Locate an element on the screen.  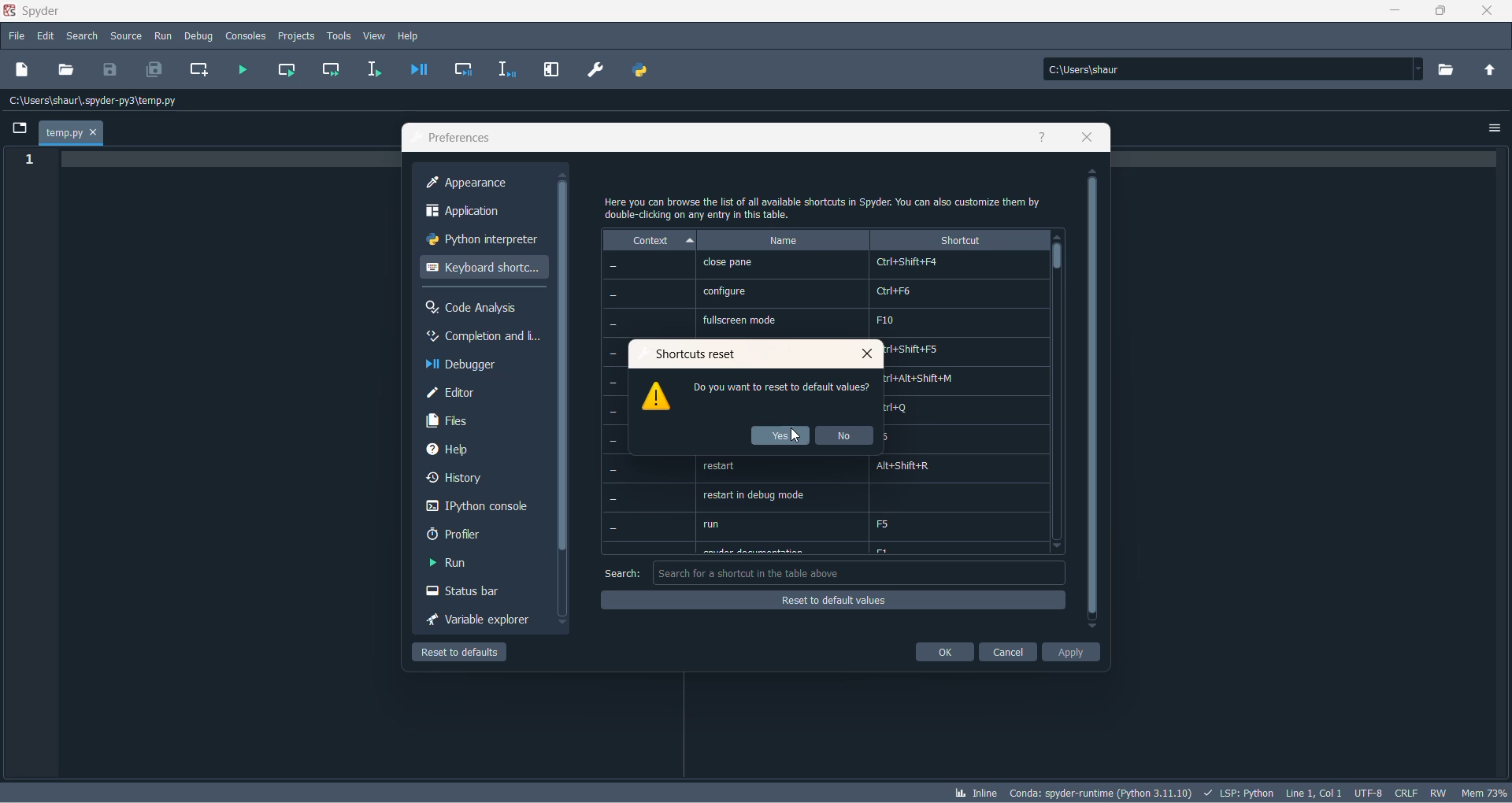
application name is located at coordinates (34, 9).